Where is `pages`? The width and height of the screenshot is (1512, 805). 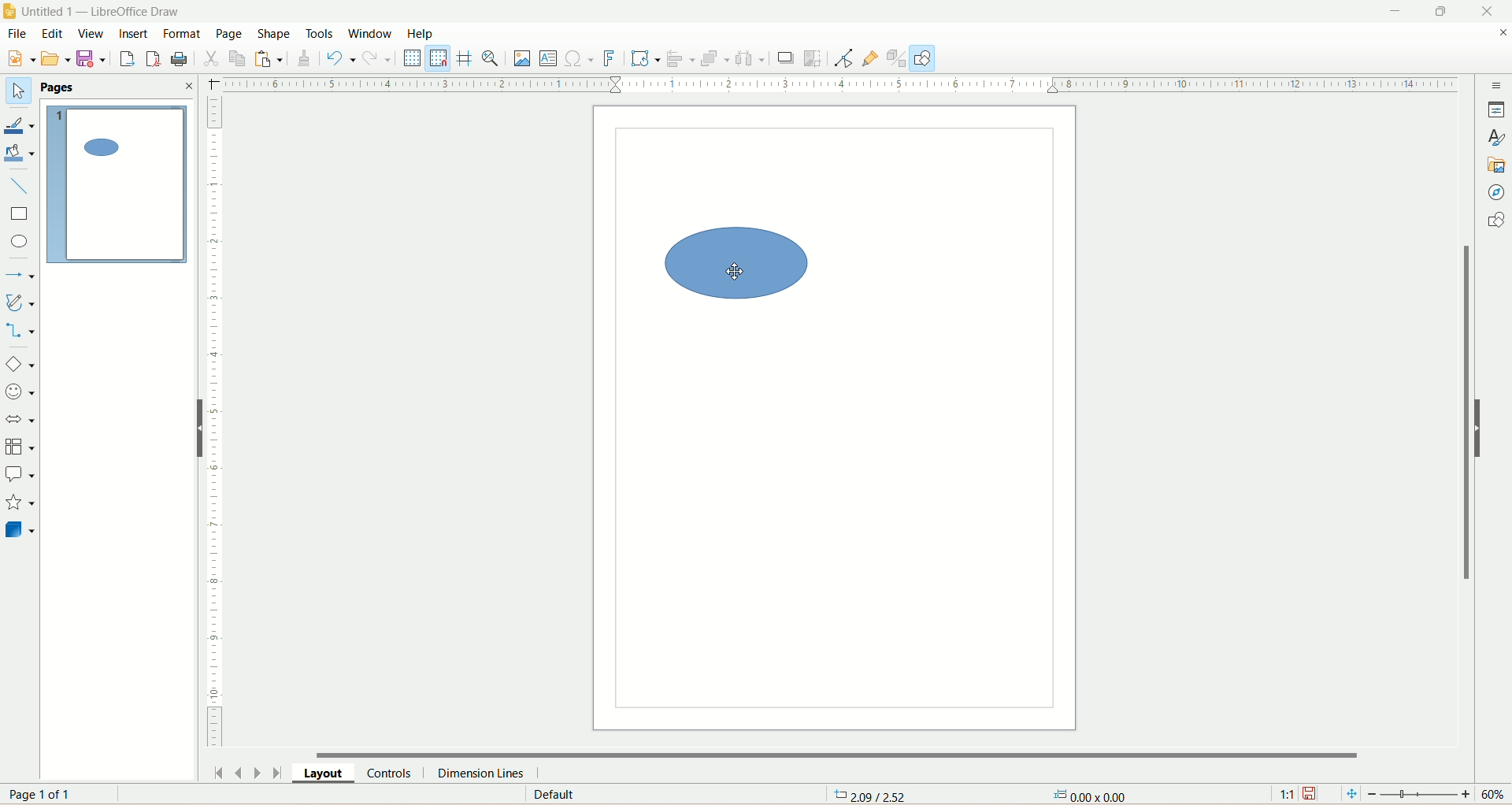 pages is located at coordinates (61, 87).